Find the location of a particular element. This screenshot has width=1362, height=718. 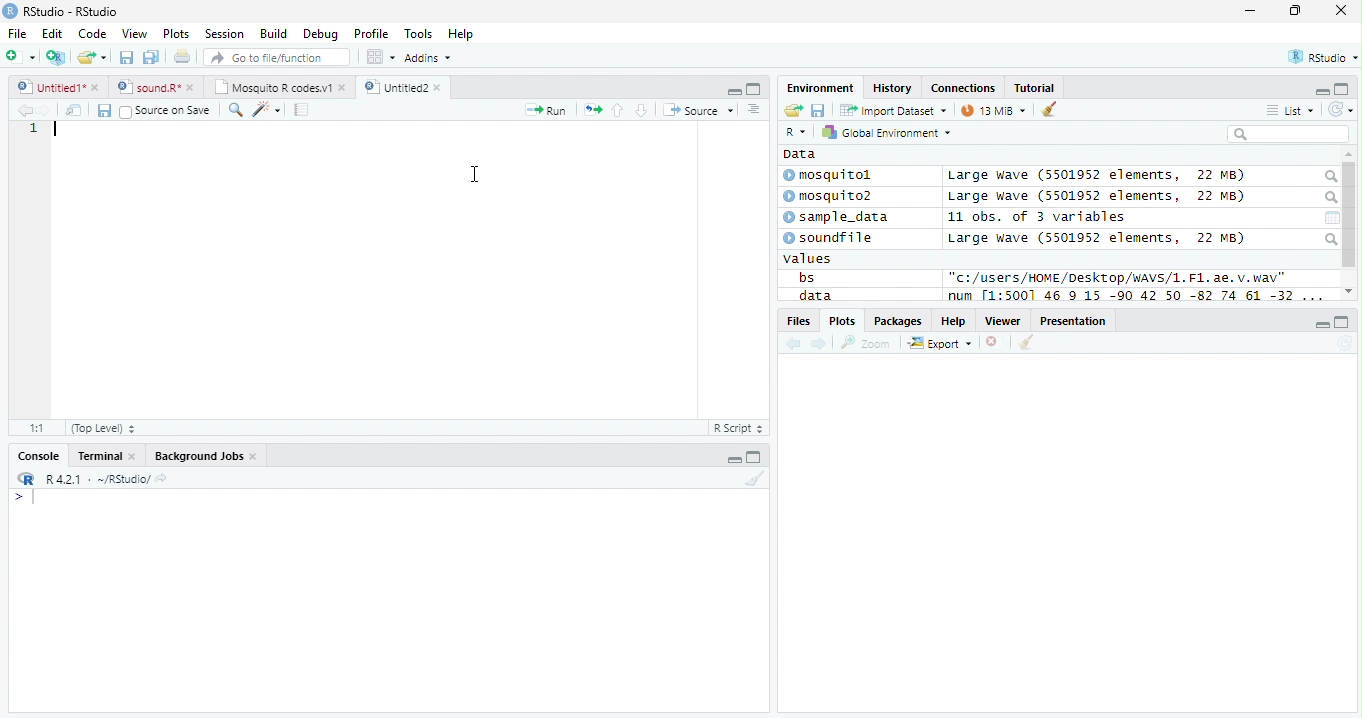

File is located at coordinates (18, 34).